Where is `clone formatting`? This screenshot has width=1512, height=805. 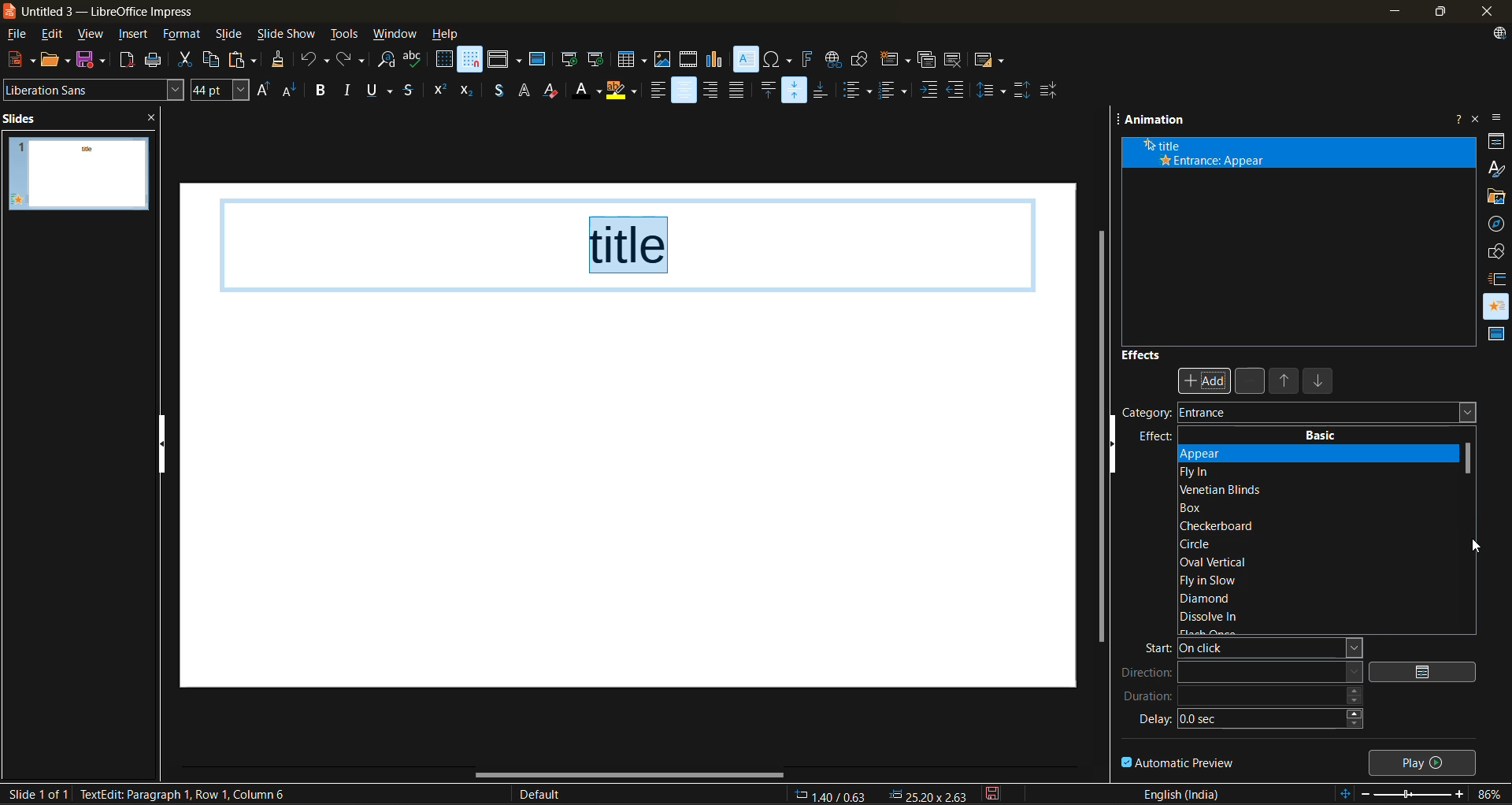 clone formatting is located at coordinates (280, 61).